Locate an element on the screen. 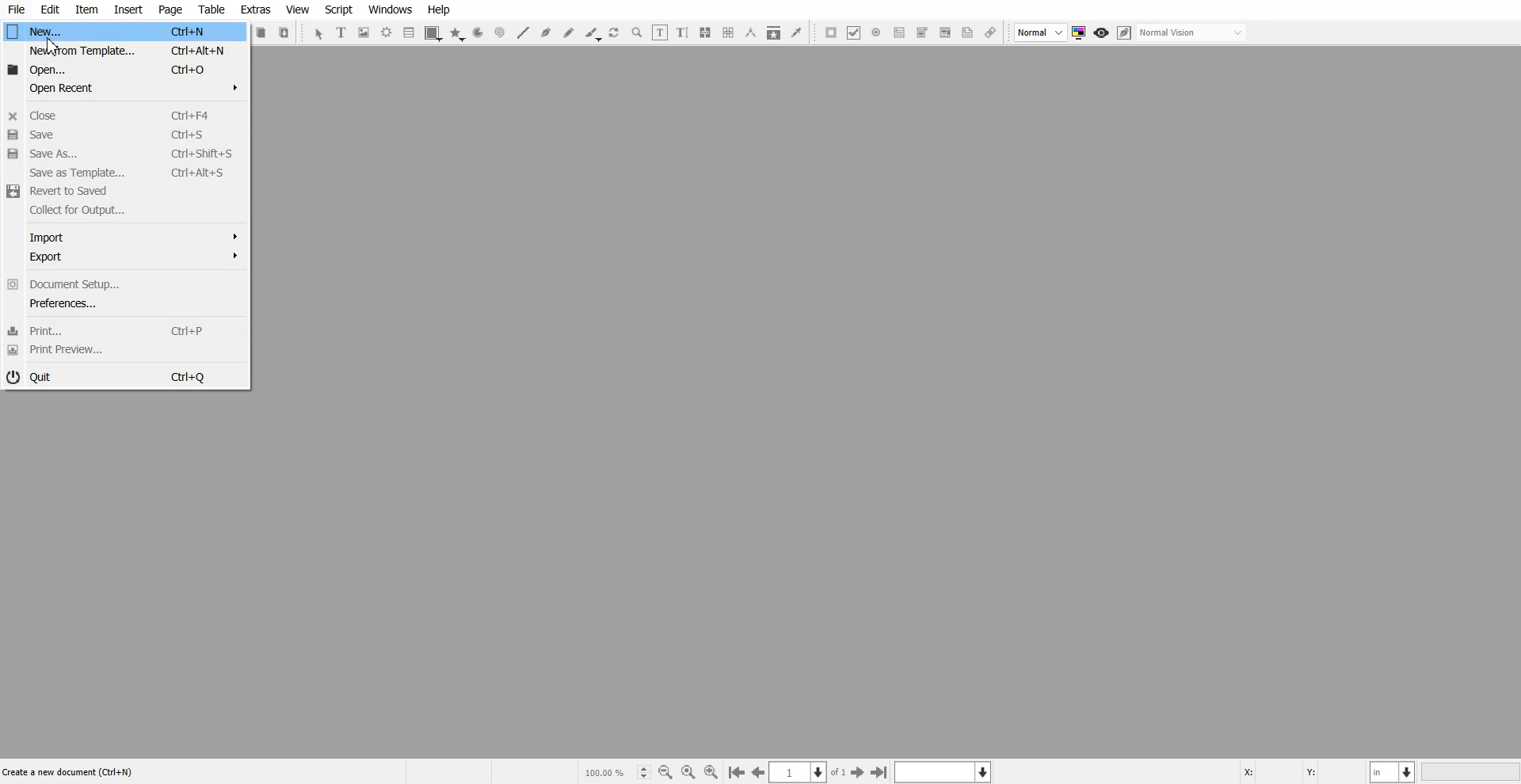 This screenshot has height=784, width=1521. Create a new document is located at coordinates (67, 771).